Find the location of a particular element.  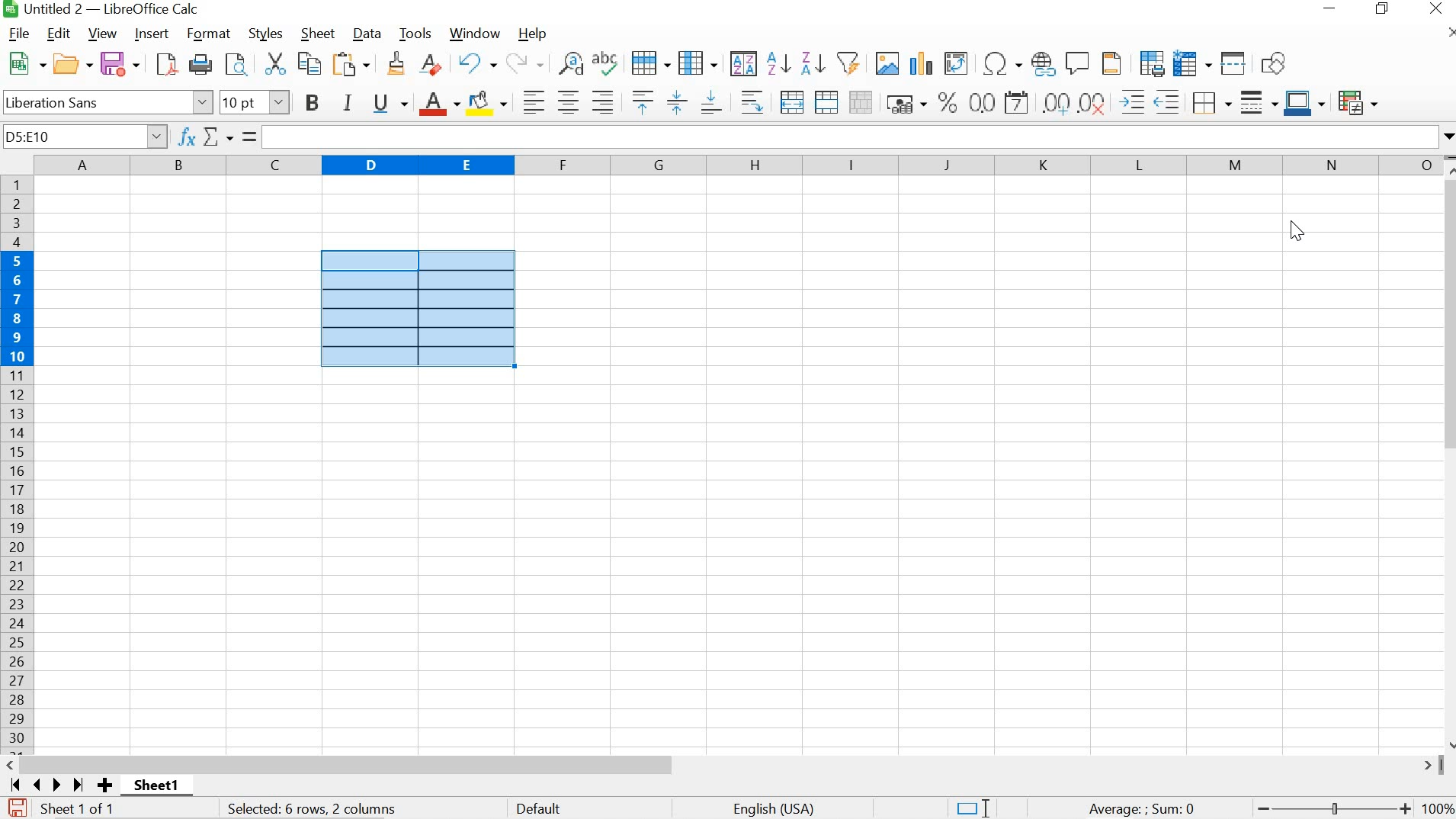

name box is located at coordinates (85, 136).